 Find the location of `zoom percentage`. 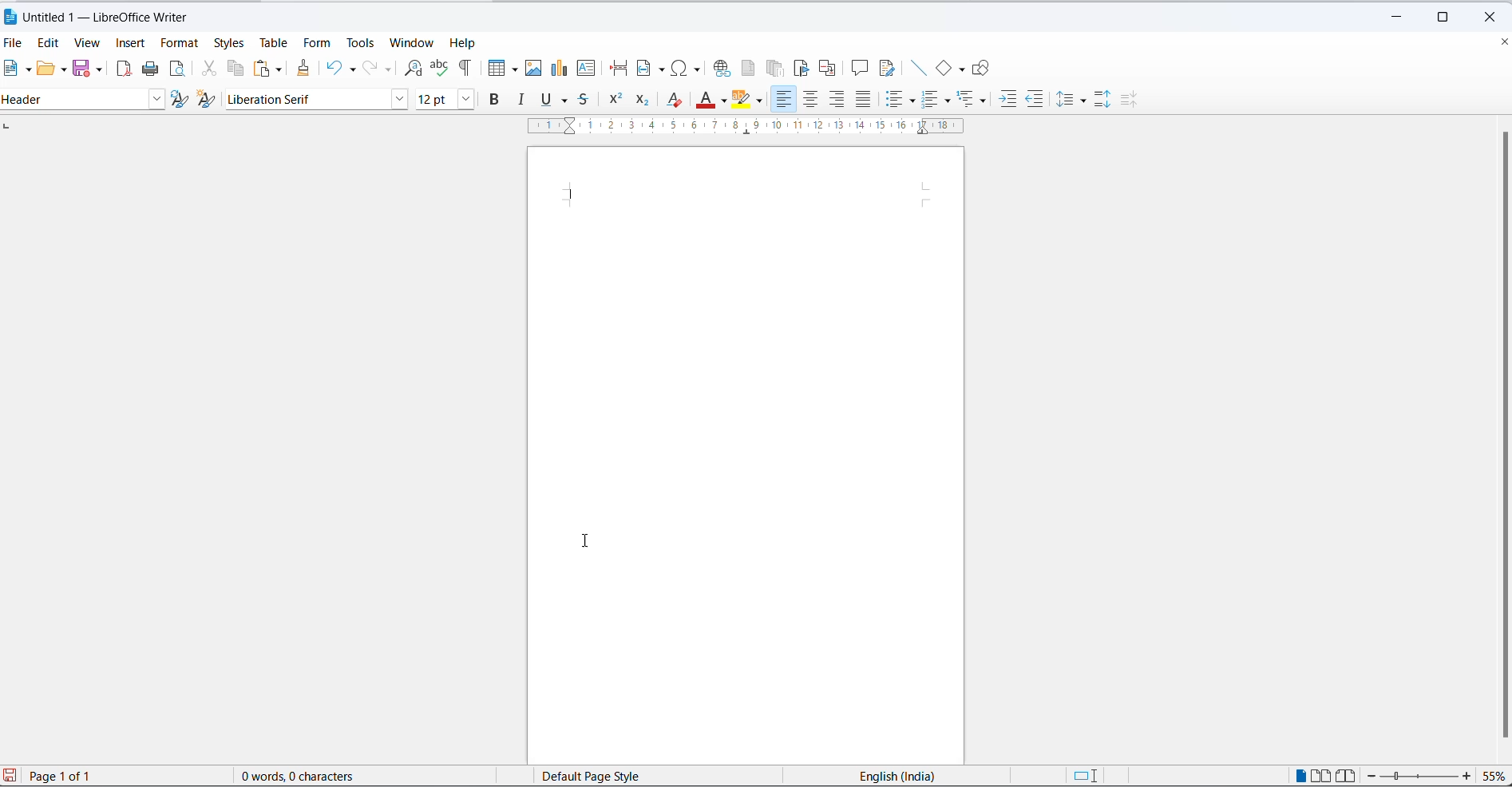

zoom percentage is located at coordinates (1494, 777).